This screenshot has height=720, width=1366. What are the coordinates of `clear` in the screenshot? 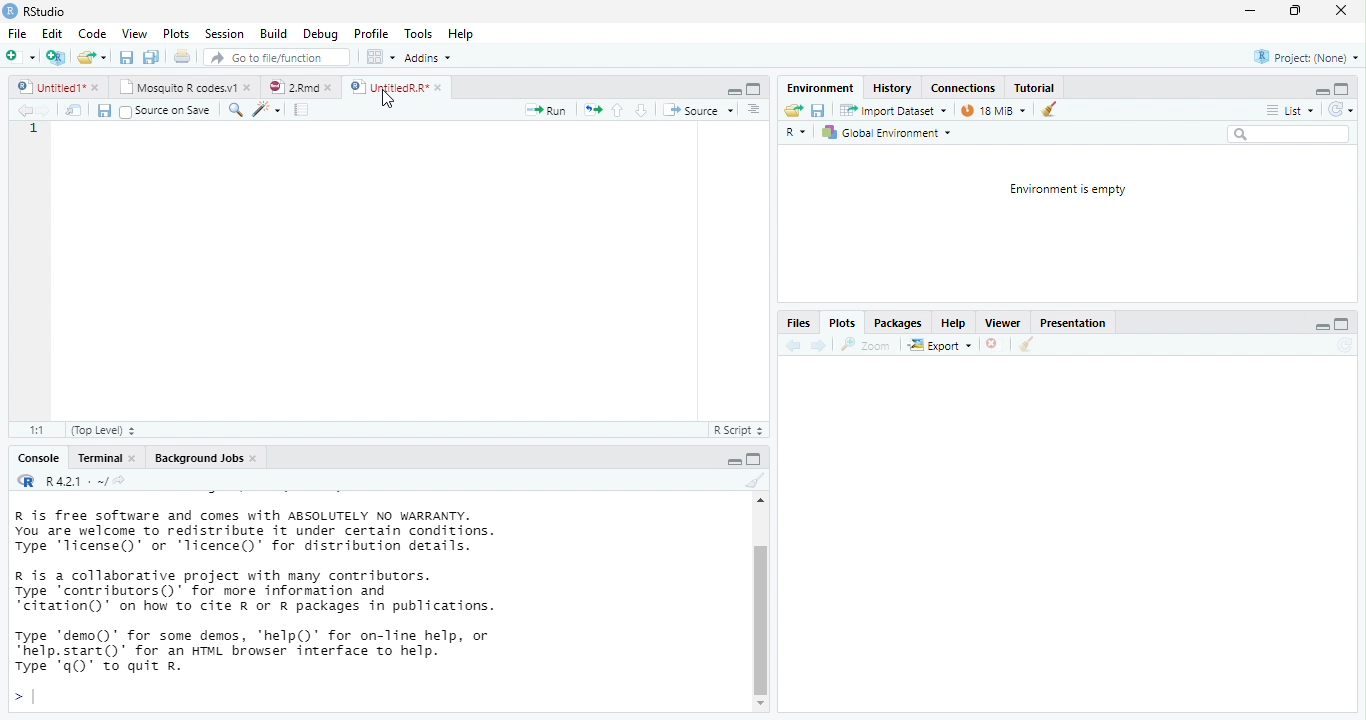 It's located at (1049, 108).